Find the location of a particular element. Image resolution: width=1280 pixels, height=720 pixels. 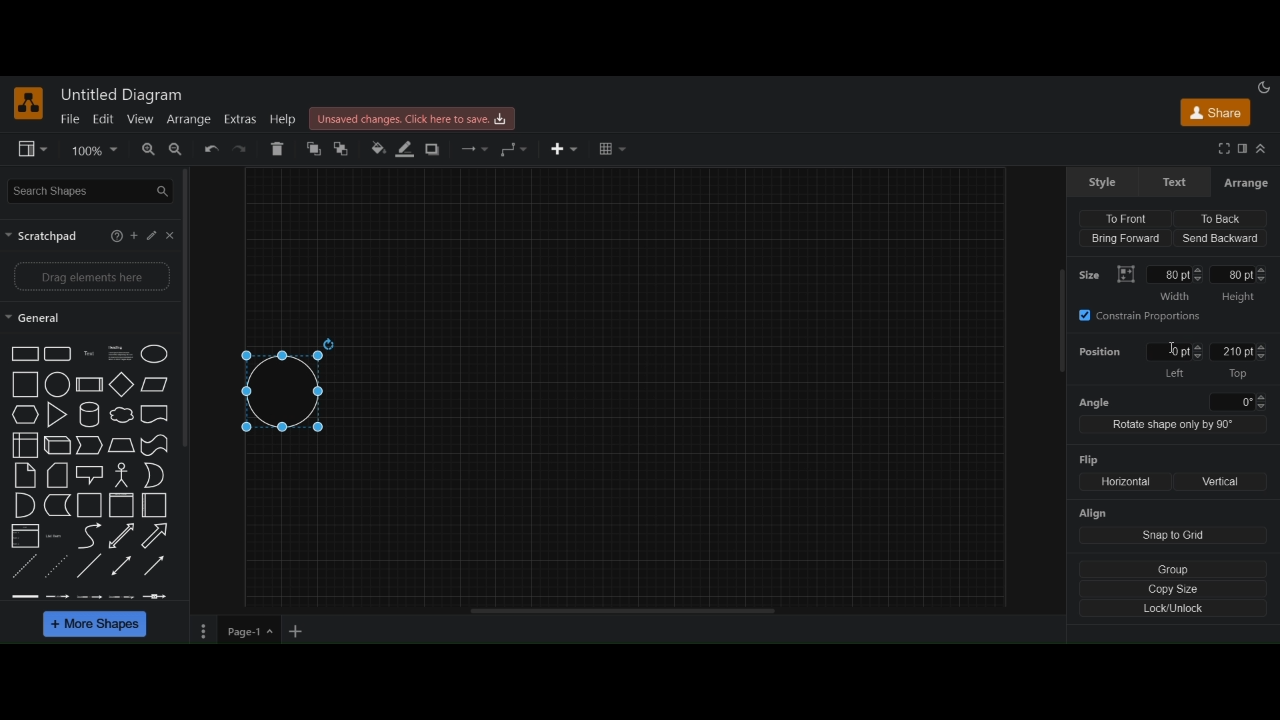

Rombus is located at coordinates (122, 446).